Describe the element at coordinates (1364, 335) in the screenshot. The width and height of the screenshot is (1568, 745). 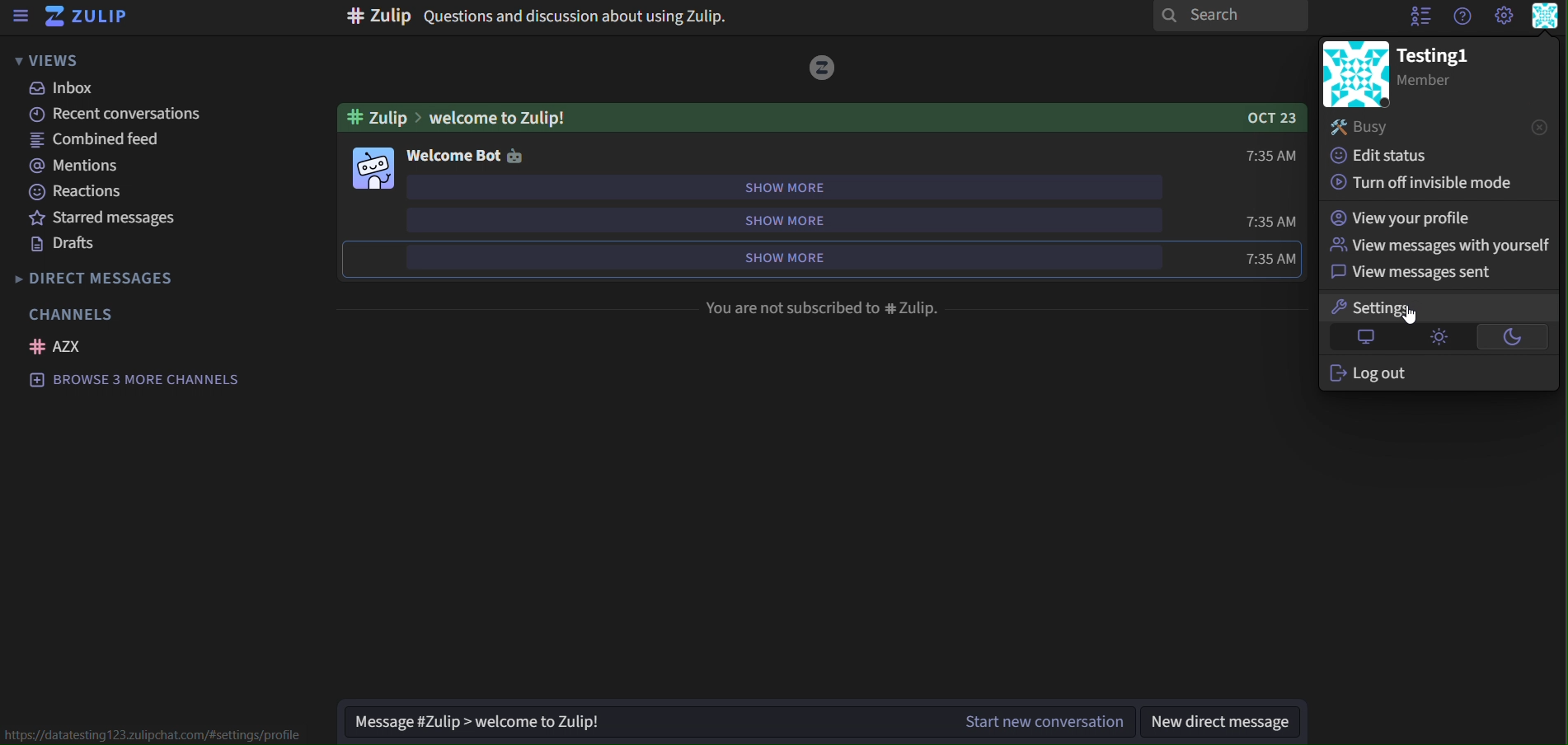
I see `default theme` at that location.